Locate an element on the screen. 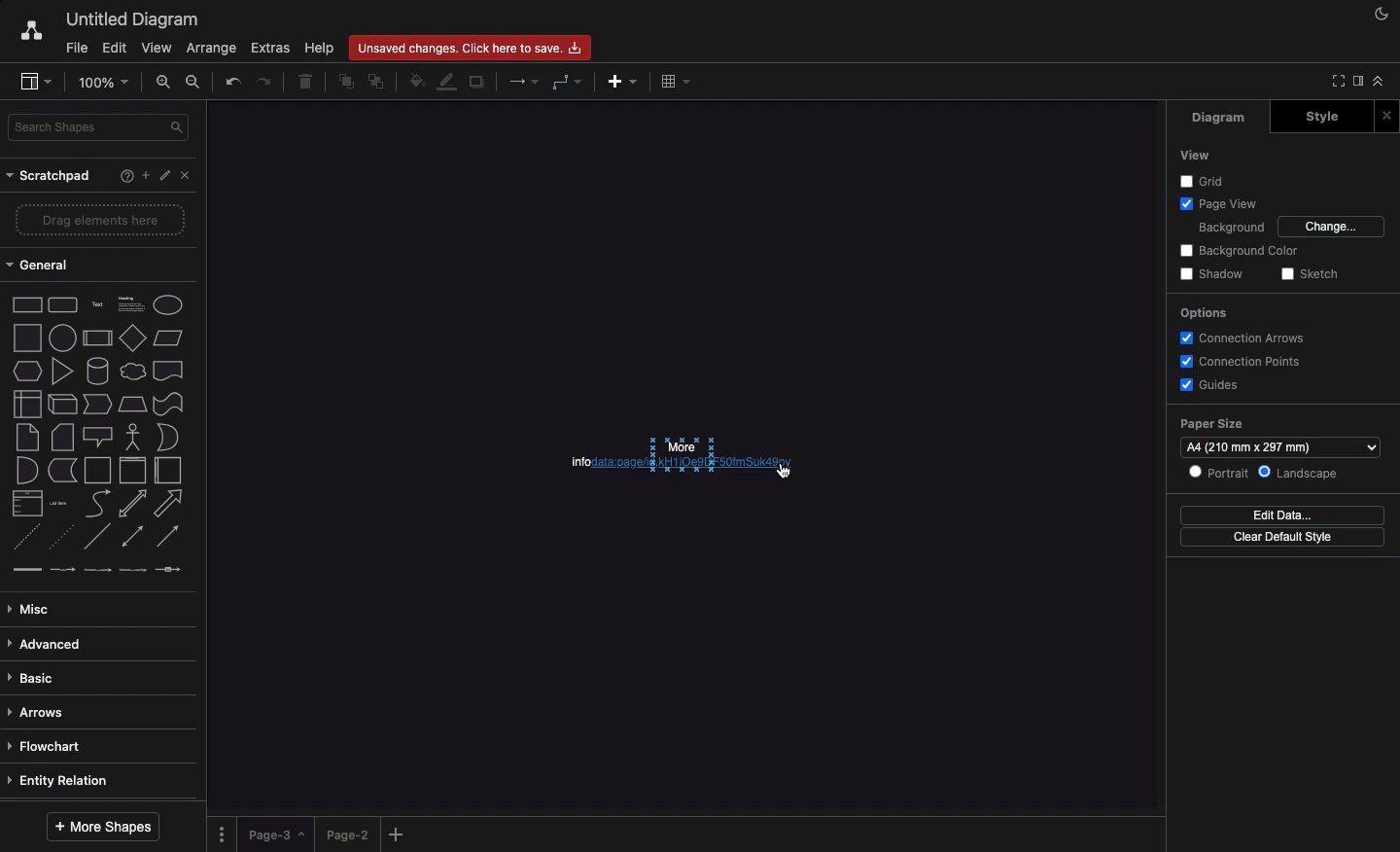 This screenshot has height=852, width=1400. document is located at coordinates (169, 371).